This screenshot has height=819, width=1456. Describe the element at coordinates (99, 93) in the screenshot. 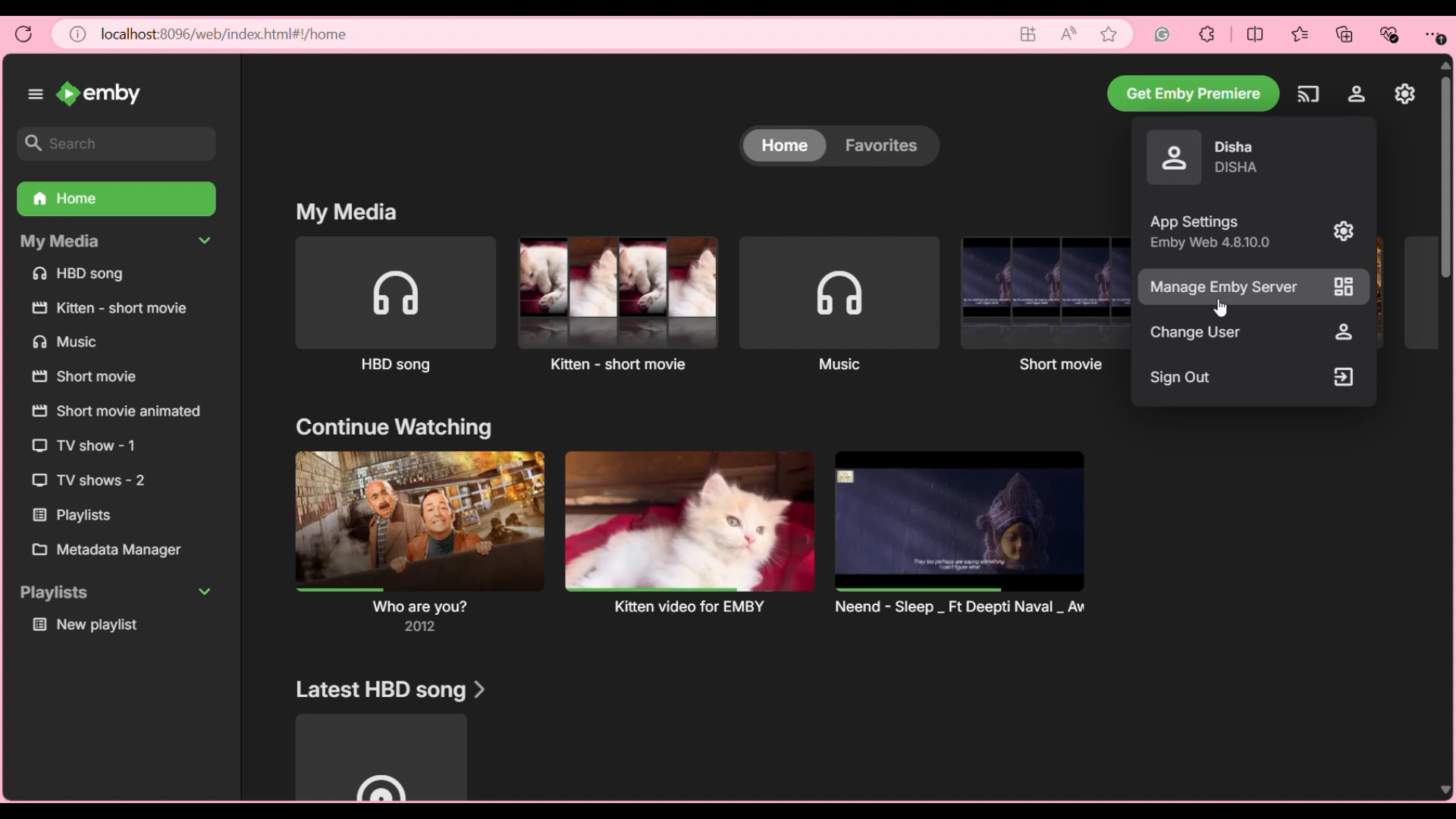

I see `emby` at that location.